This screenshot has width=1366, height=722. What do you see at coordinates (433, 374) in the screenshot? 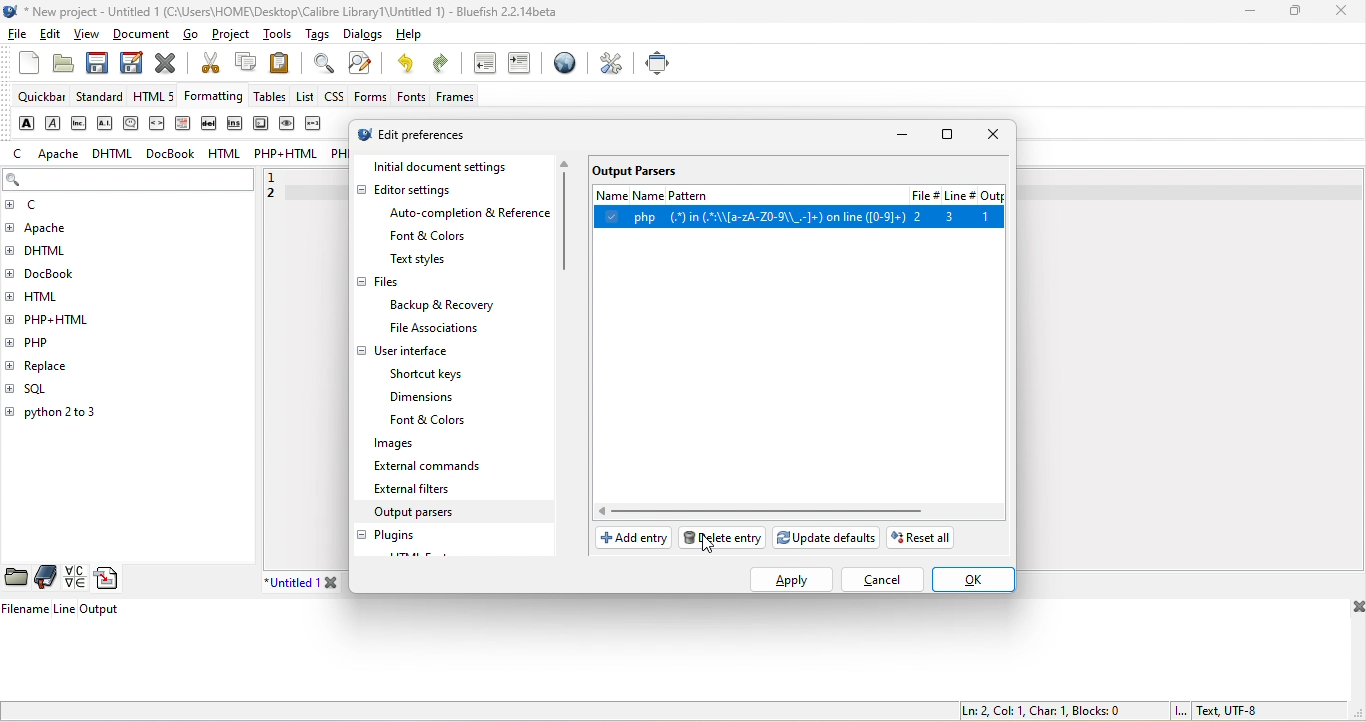
I see `shortcut keys` at bounding box center [433, 374].